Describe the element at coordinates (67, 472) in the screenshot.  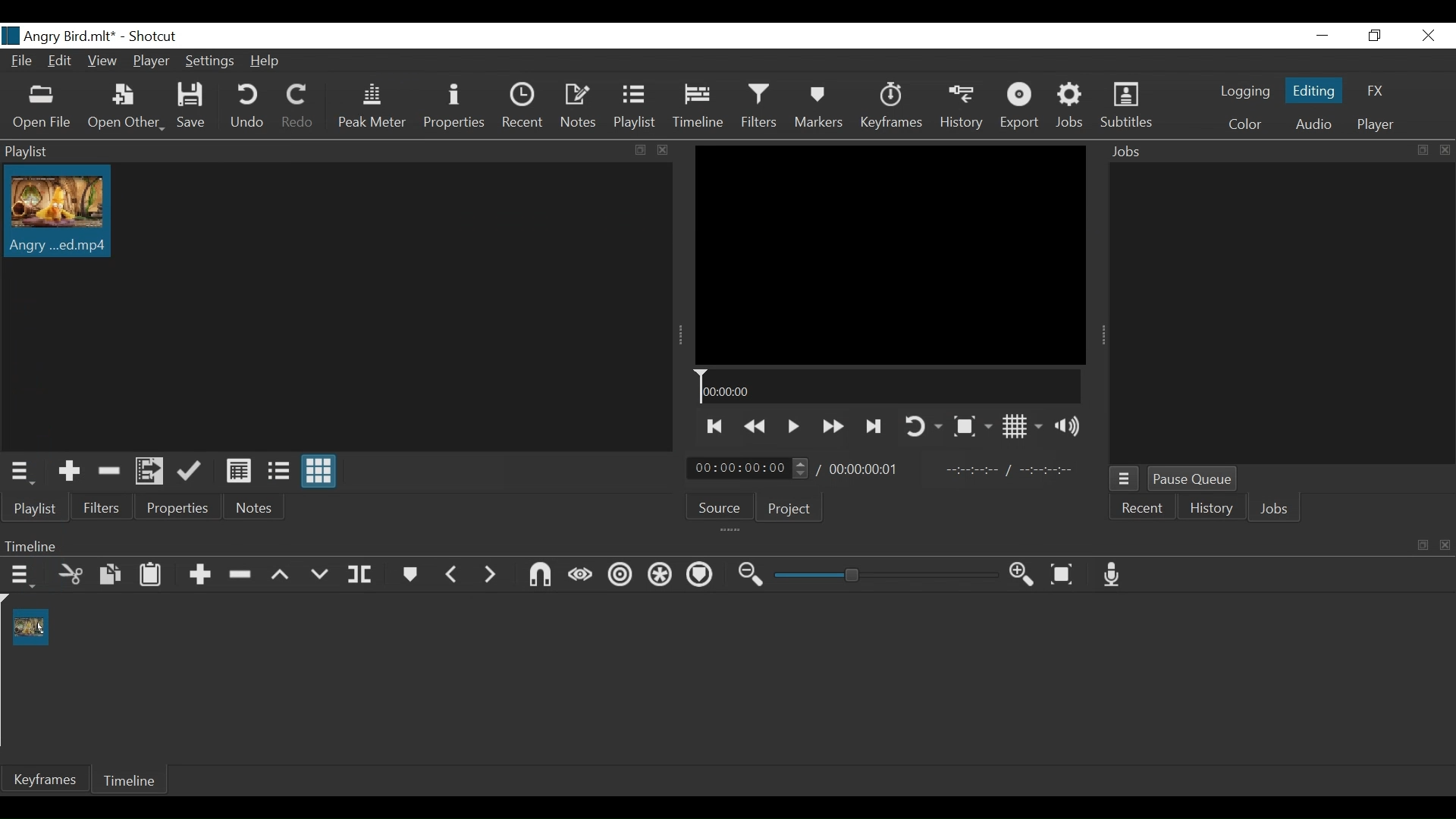
I see `Add the Source to the playlist` at that location.